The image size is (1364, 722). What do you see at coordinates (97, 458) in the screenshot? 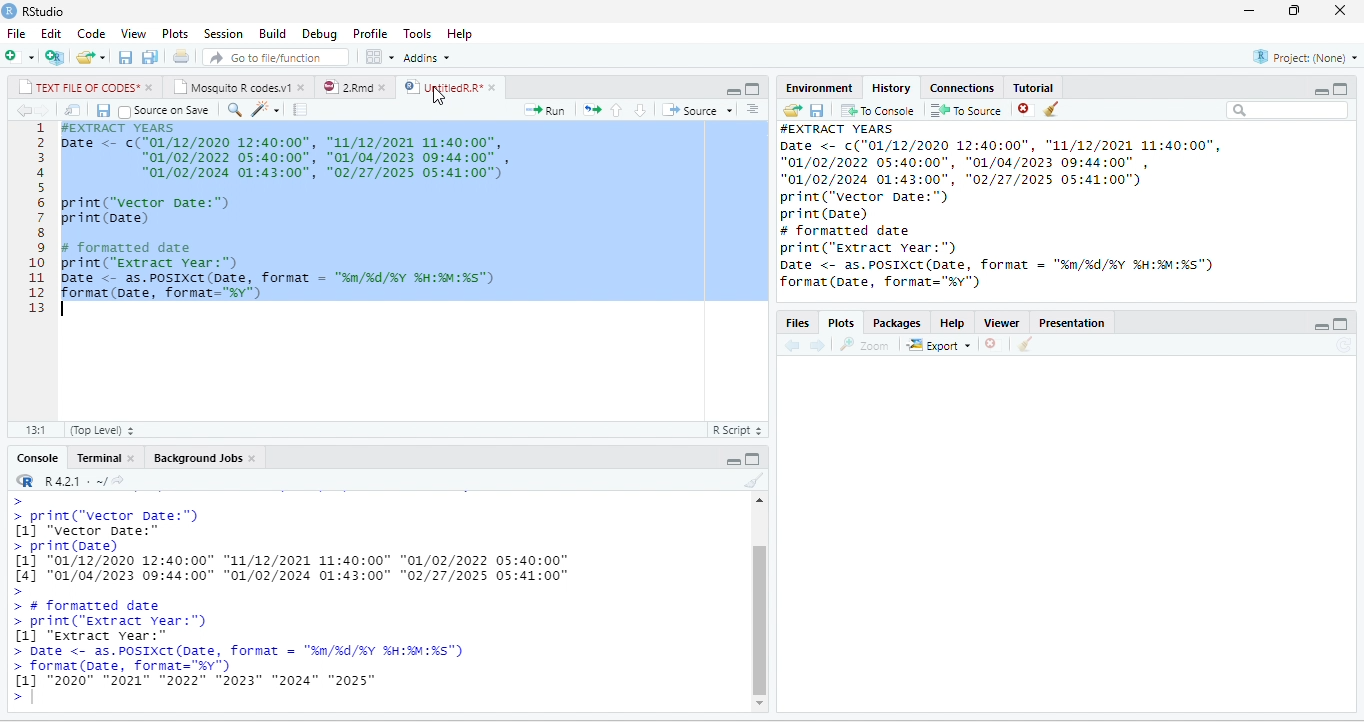
I see `Terminal ` at bounding box center [97, 458].